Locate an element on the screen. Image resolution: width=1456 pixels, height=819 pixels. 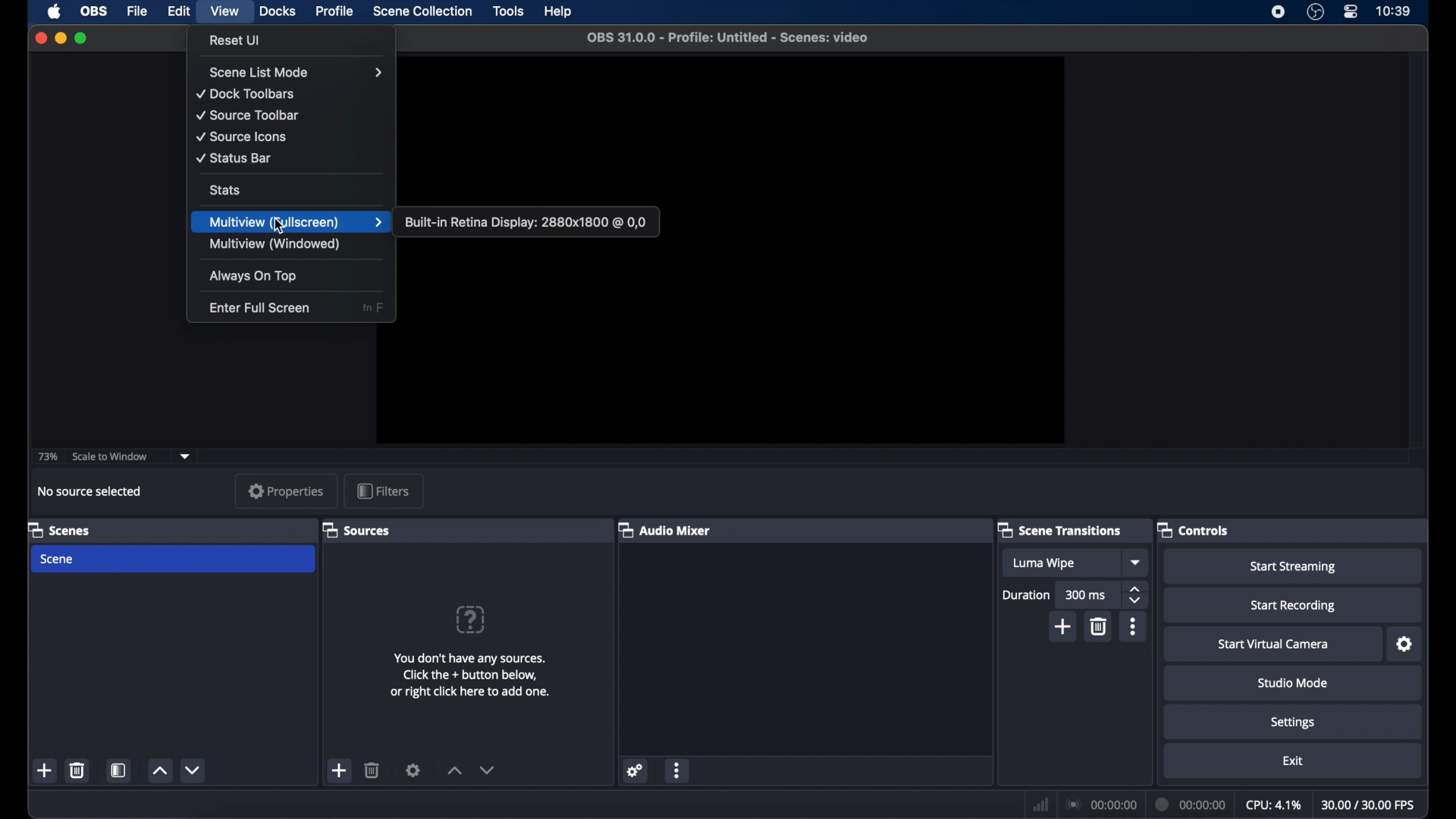
edit is located at coordinates (178, 11).